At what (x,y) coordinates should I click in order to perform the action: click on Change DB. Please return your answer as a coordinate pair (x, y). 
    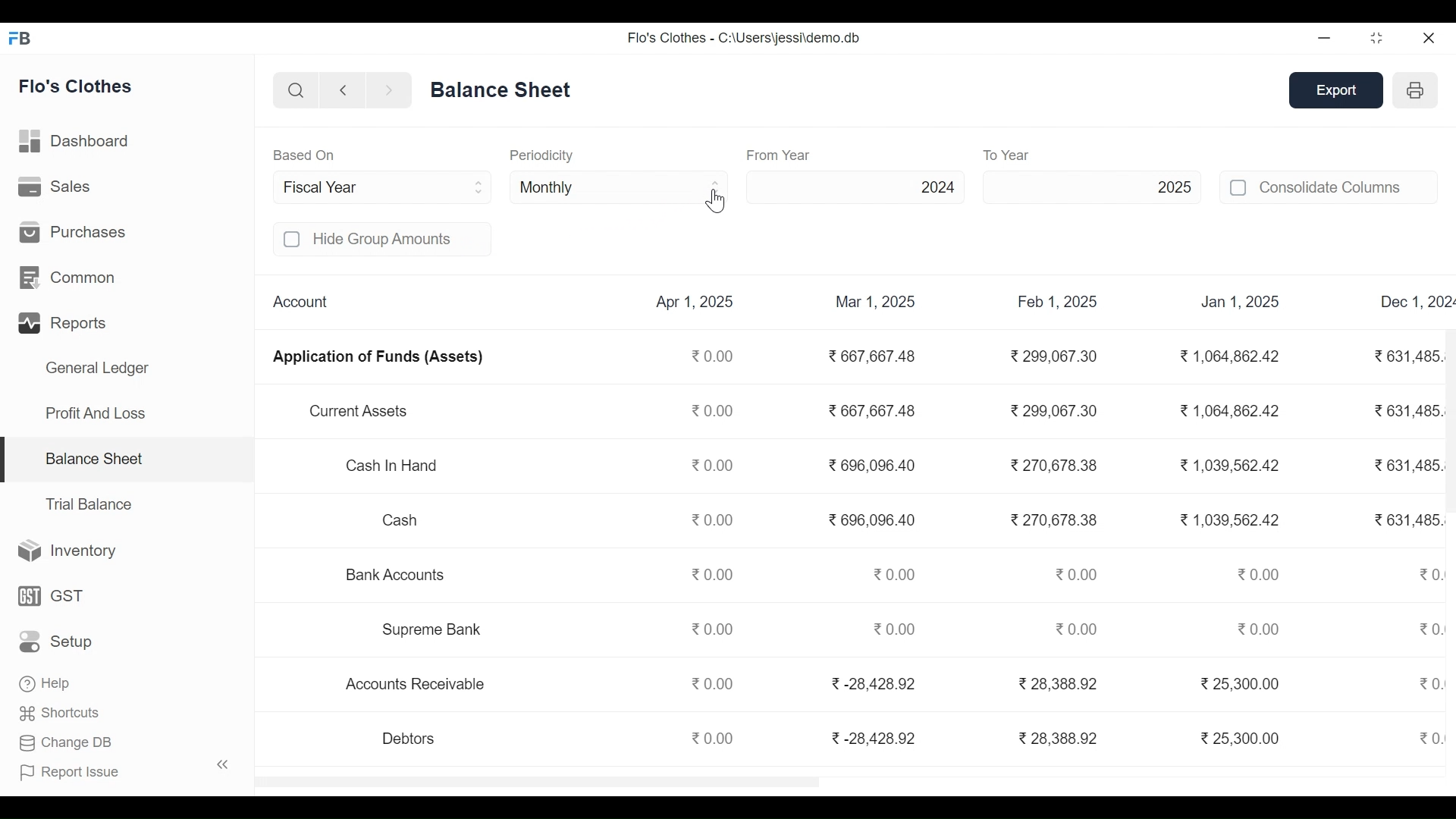
    Looking at the image, I should click on (66, 741).